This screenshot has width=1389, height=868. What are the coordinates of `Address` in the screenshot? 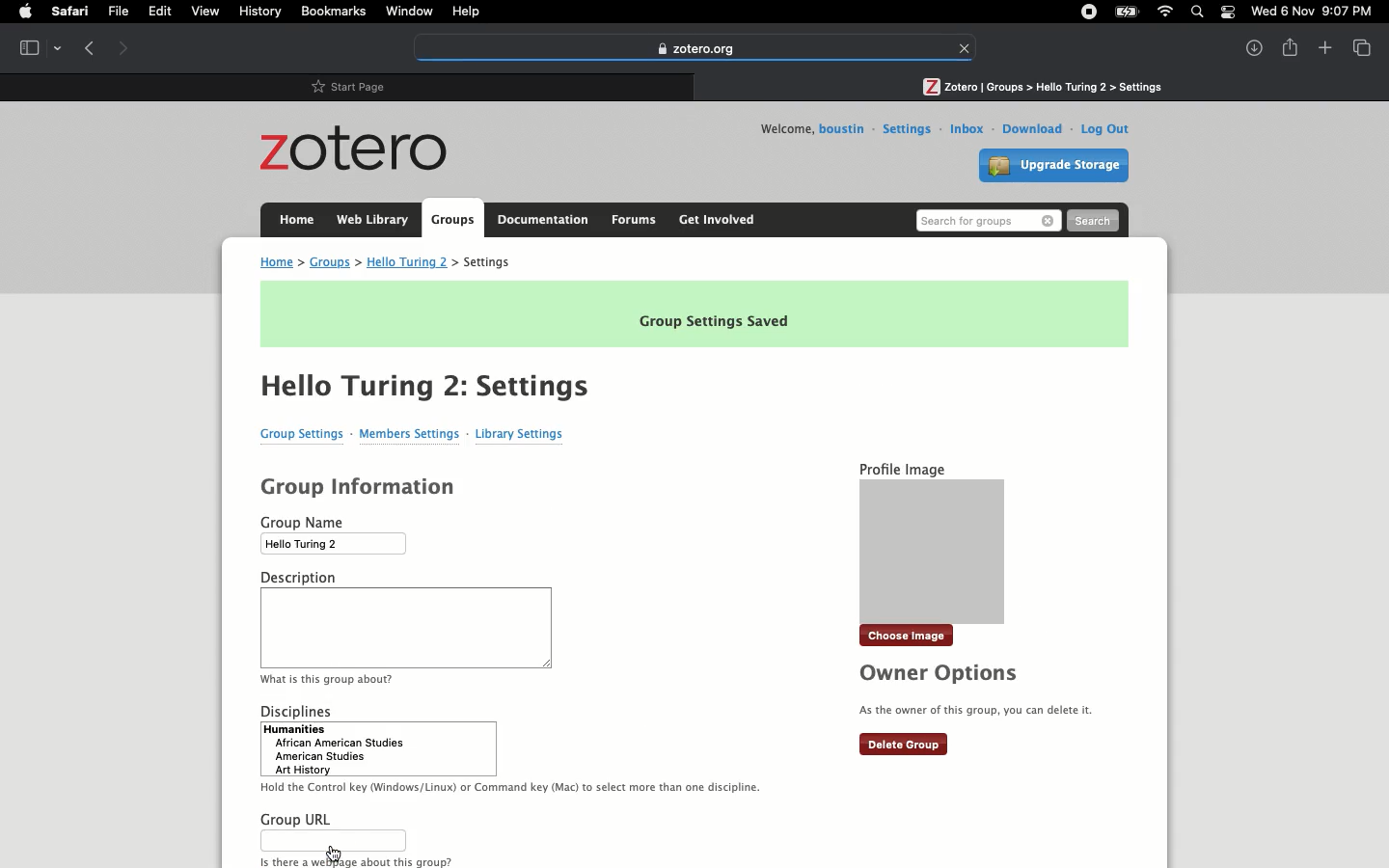 It's located at (395, 262).